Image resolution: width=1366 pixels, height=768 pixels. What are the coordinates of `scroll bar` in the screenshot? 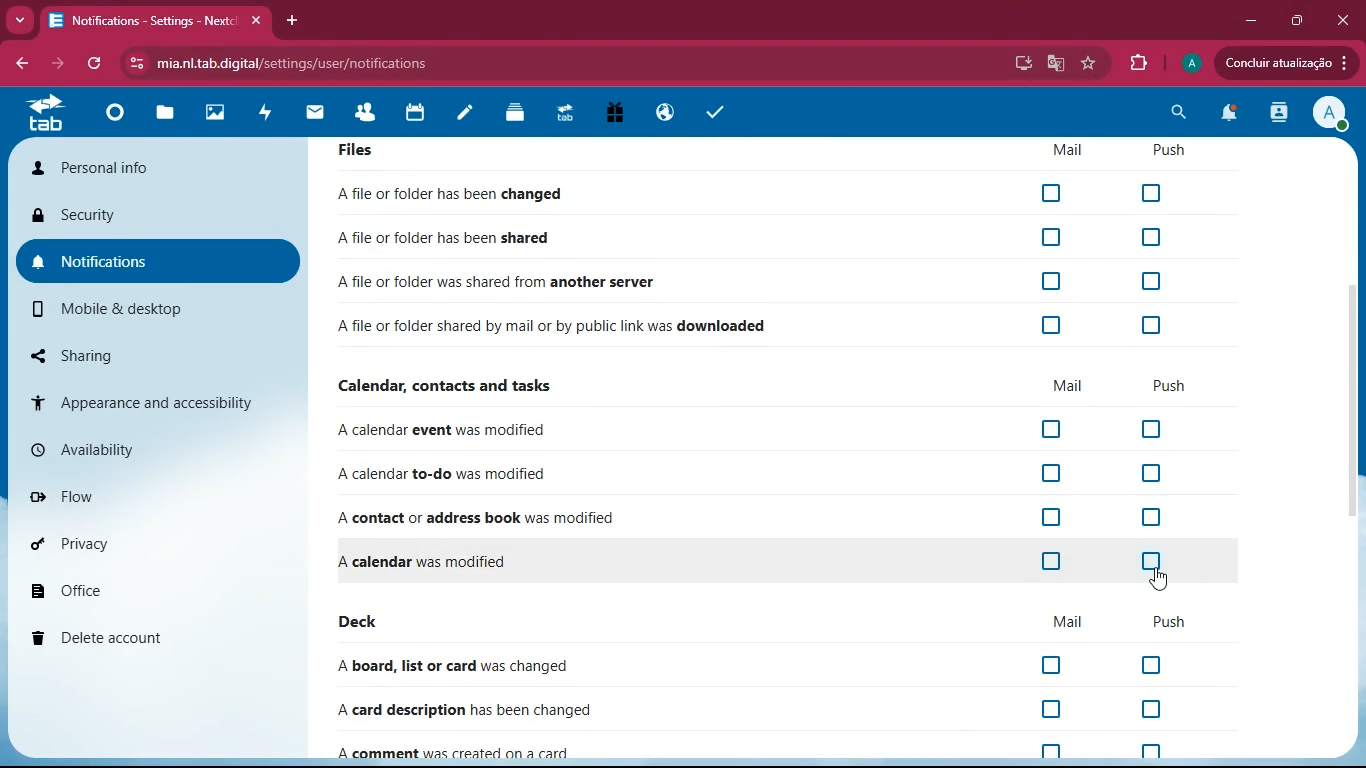 It's located at (1356, 402).